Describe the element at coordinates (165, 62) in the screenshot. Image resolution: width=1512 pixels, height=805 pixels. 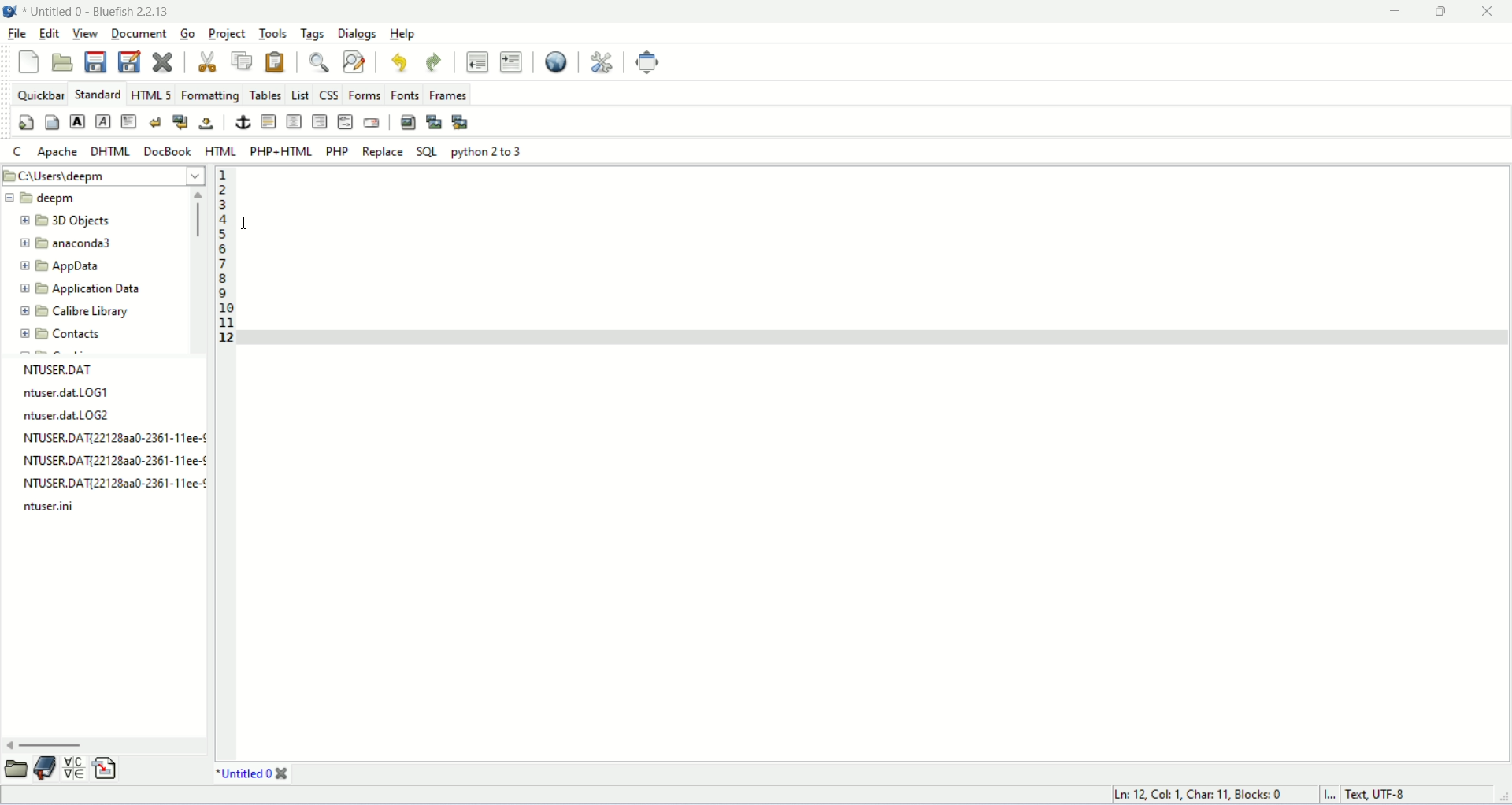
I see `close current file` at that location.